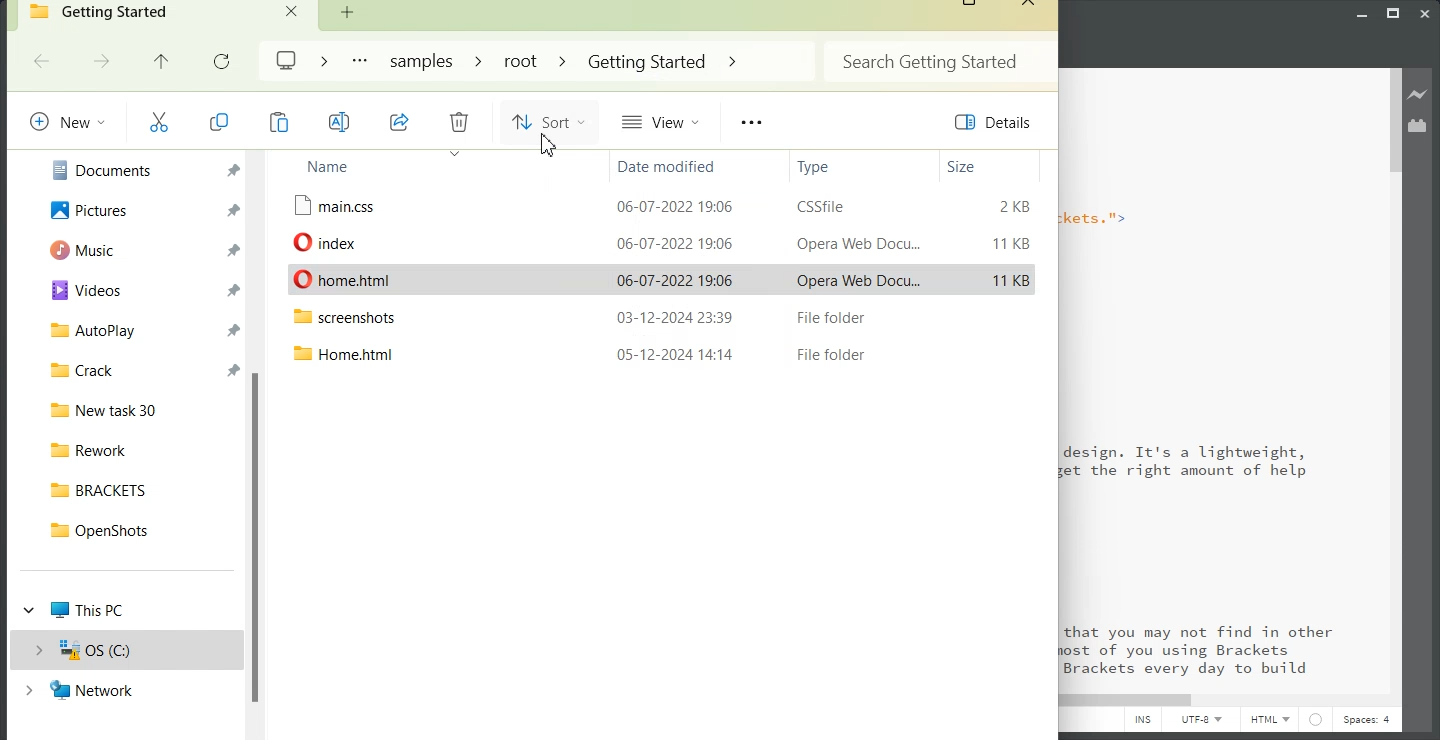 The height and width of the screenshot is (740, 1440). I want to click on Go forward, so click(102, 61).